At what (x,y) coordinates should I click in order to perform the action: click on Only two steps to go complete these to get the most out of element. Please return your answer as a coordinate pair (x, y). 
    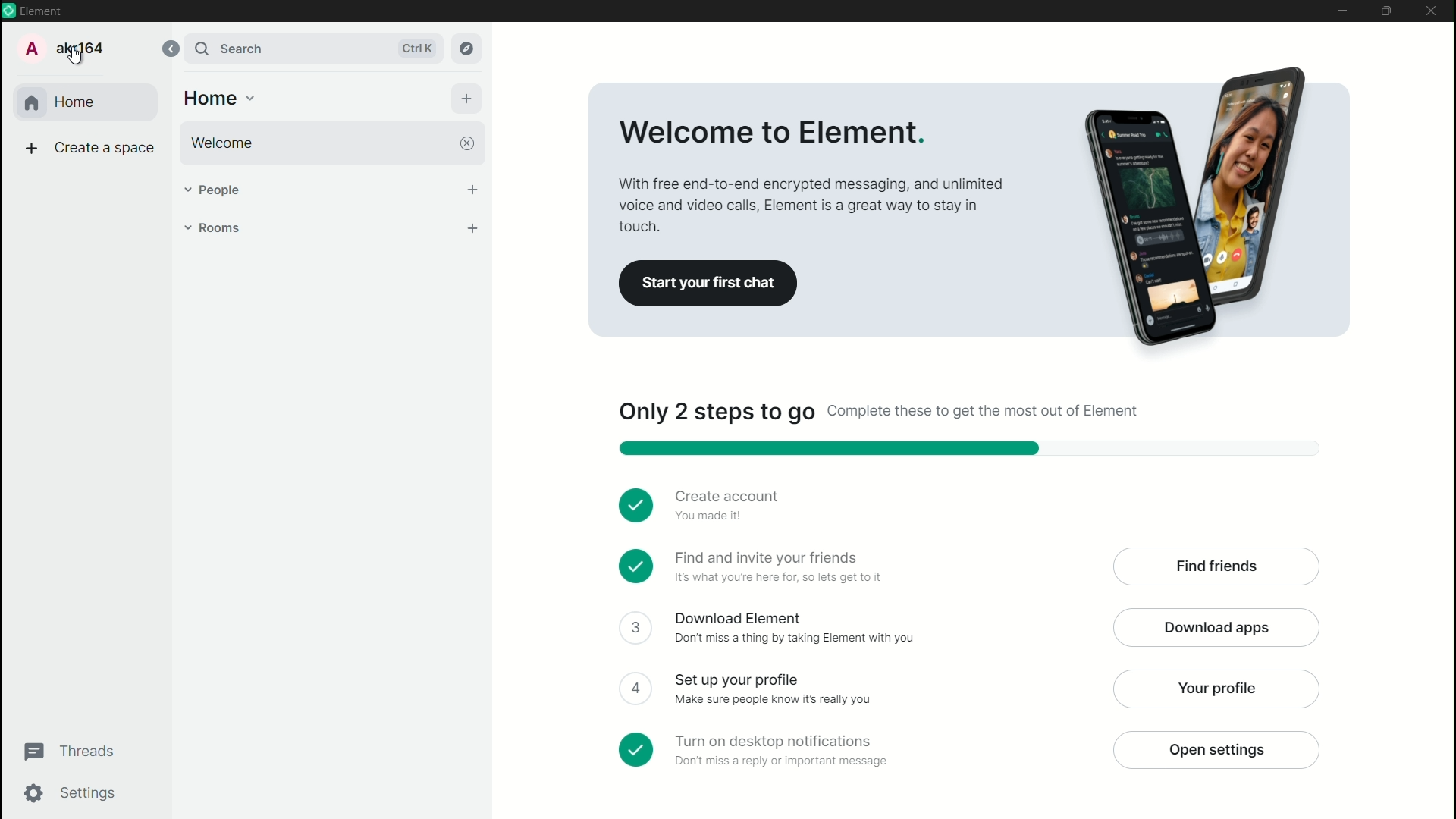
    Looking at the image, I should click on (880, 413).